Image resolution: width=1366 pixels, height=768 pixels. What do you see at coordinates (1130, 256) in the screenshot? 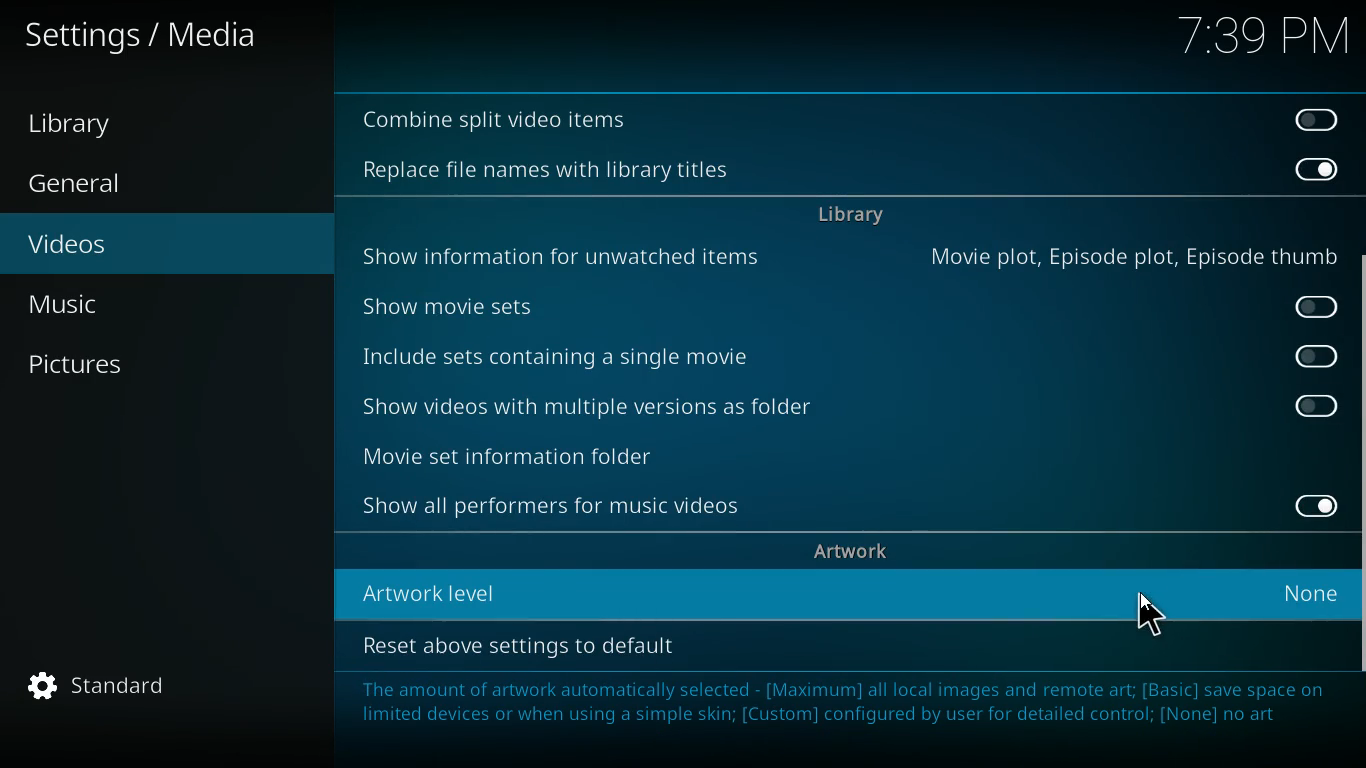
I see `movie plot, episode plot, episode thumb` at bounding box center [1130, 256].